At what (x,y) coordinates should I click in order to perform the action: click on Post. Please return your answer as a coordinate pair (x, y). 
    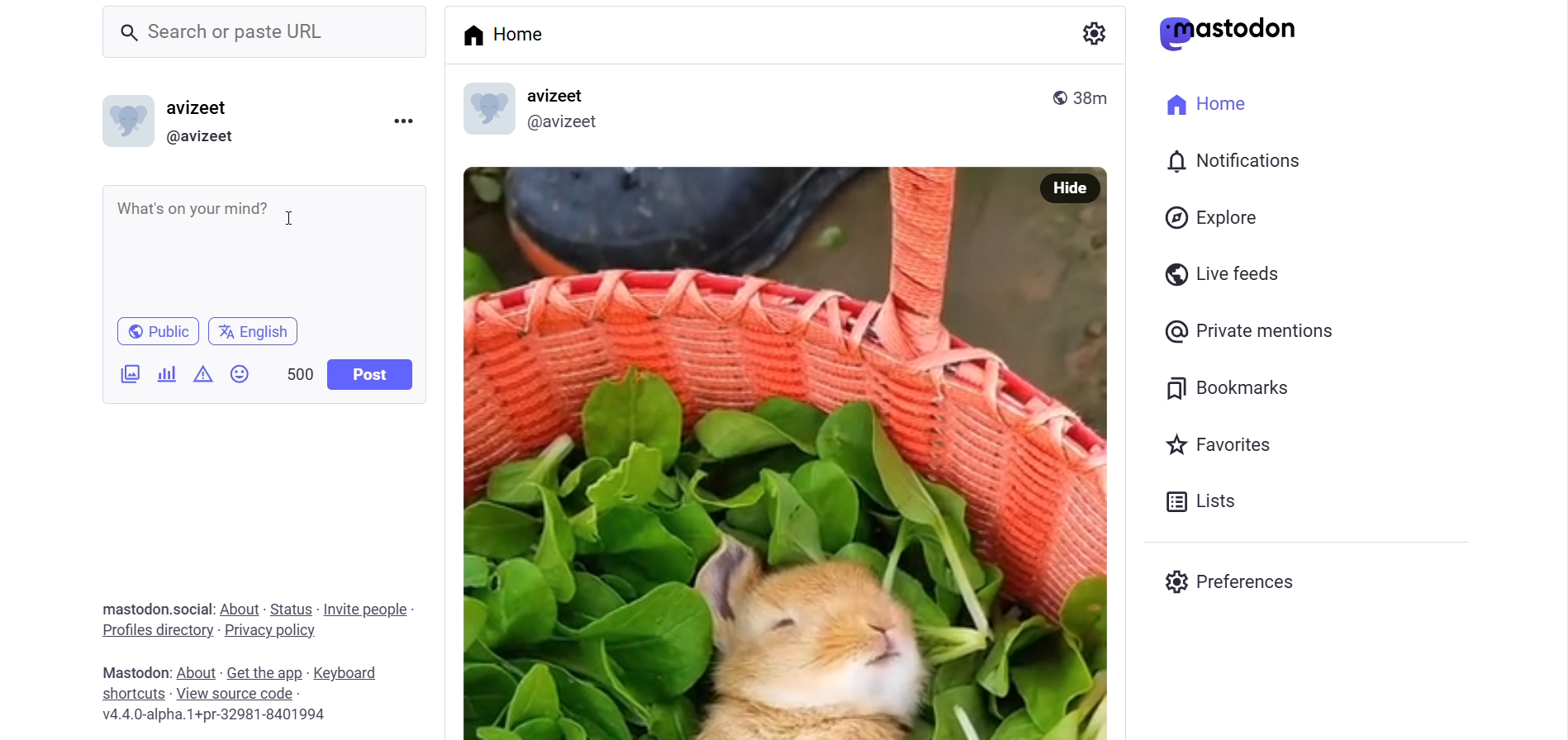
    Looking at the image, I should click on (369, 374).